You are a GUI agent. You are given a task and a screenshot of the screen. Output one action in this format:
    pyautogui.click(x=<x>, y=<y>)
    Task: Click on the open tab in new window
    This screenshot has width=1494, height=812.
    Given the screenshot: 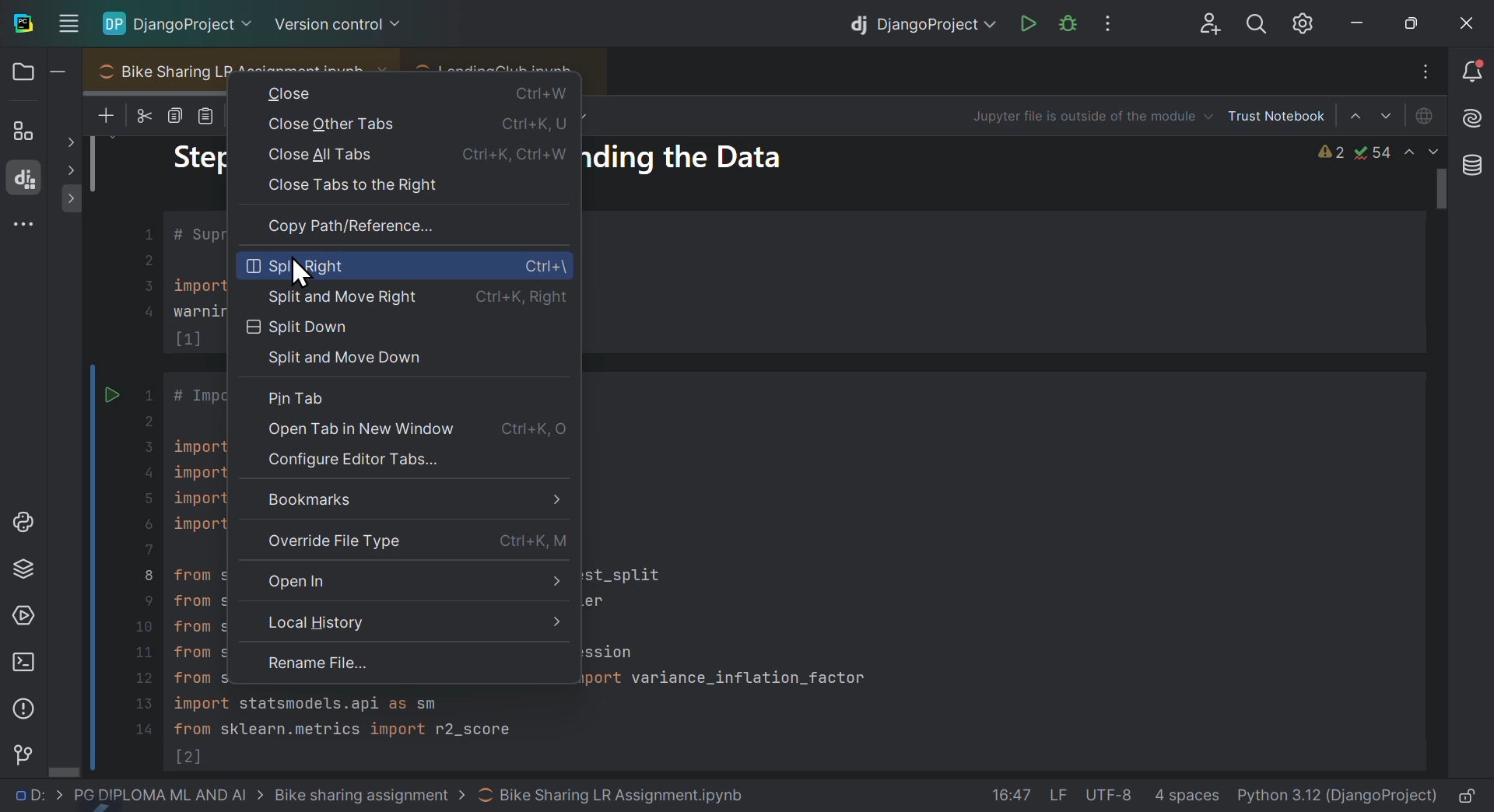 What is the action you would take?
    pyautogui.click(x=412, y=429)
    